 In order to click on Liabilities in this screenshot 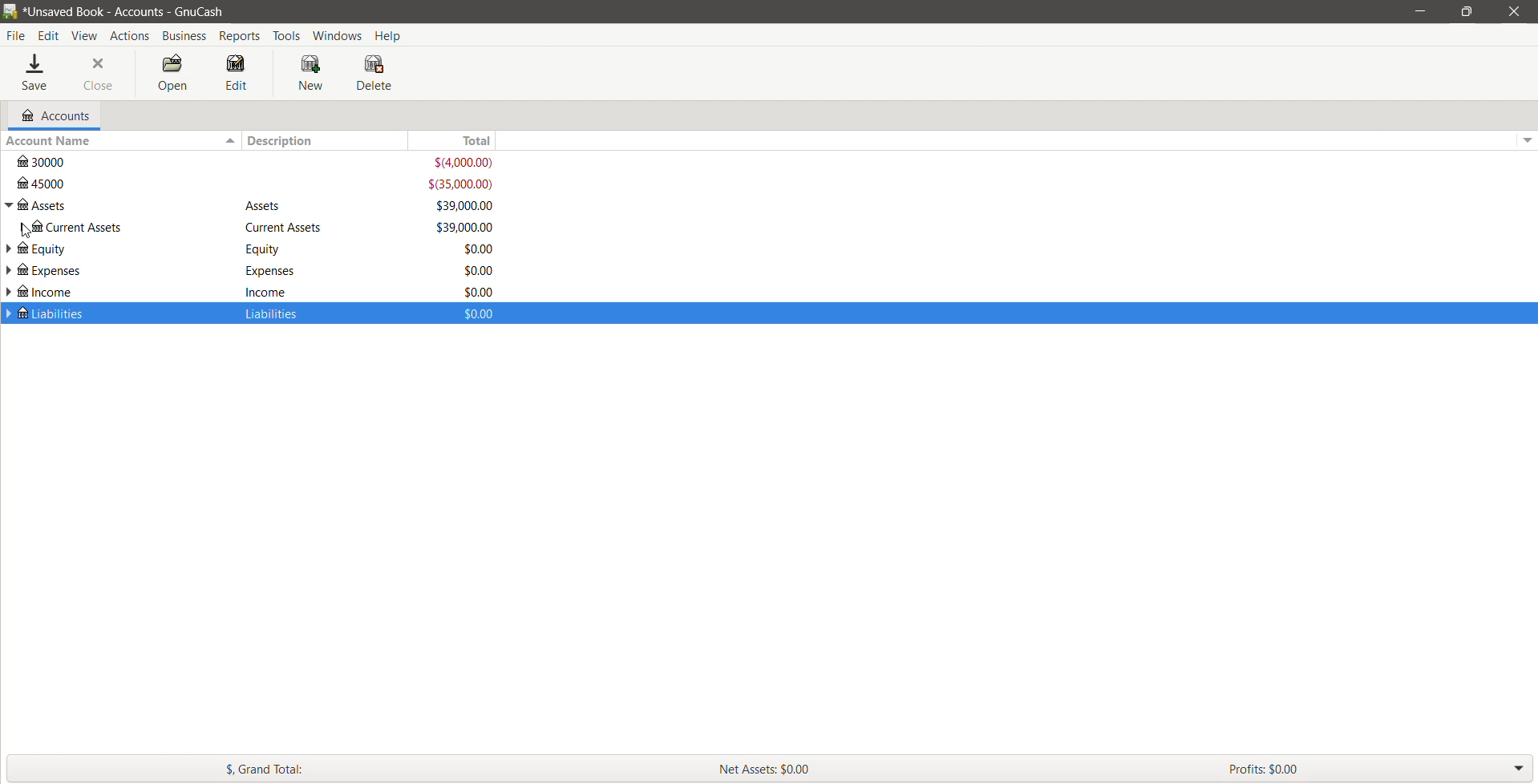, I will do `click(279, 315)`.